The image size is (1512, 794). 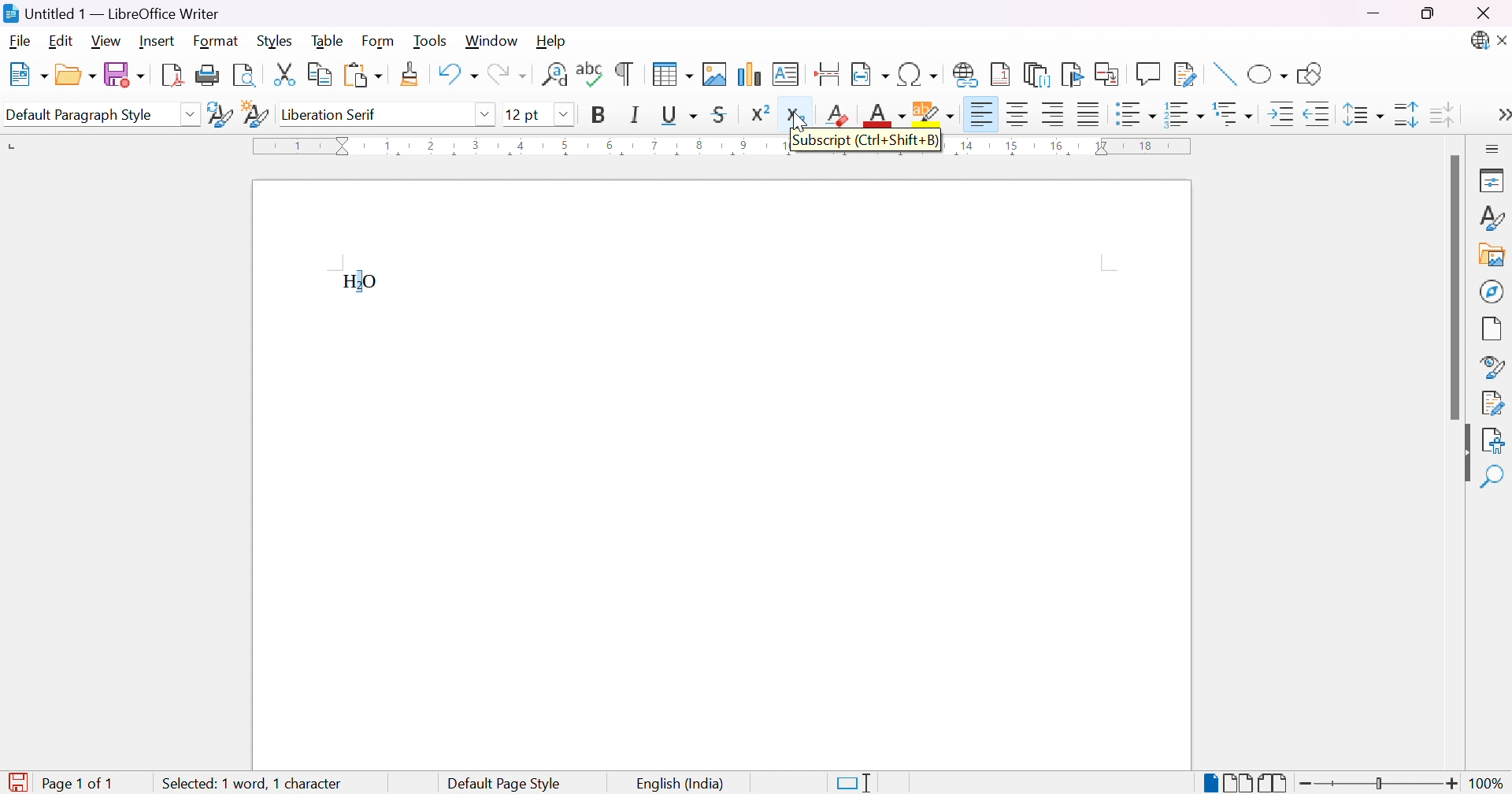 What do you see at coordinates (157, 41) in the screenshot?
I see `Insert` at bounding box center [157, 41].